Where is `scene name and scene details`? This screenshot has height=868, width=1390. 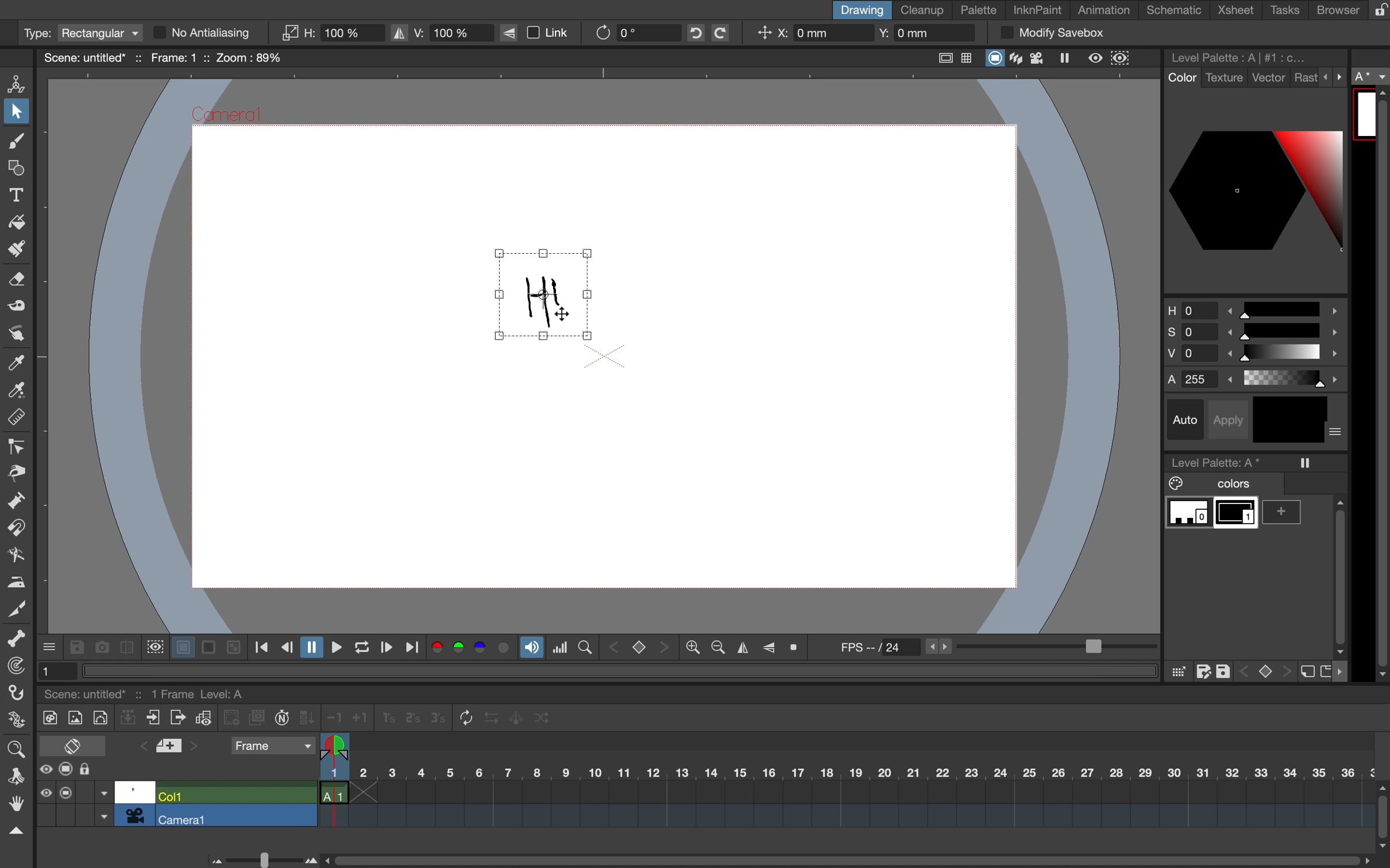 scene name and scene details is located at coordinates (163, 57).